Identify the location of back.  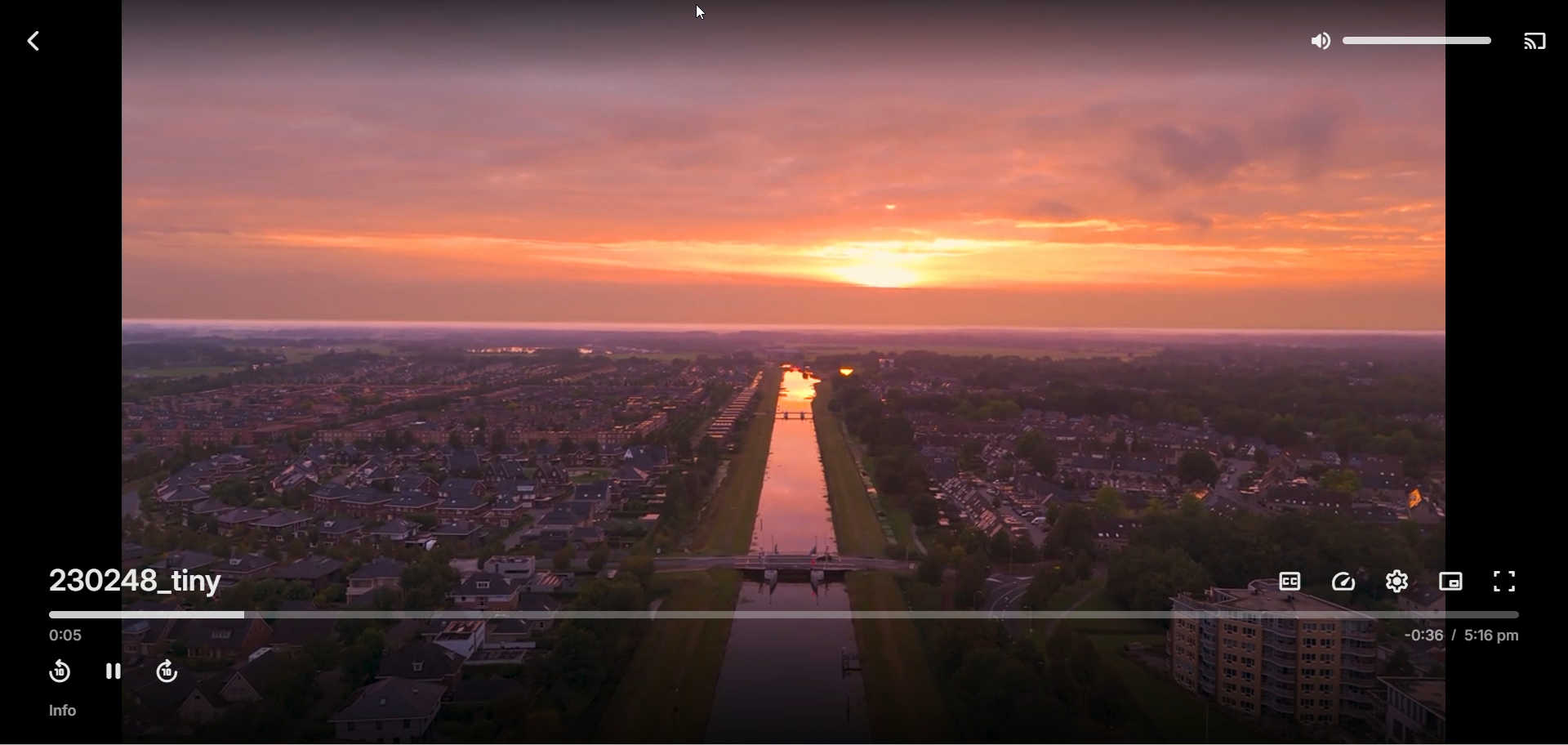
(32, 42).